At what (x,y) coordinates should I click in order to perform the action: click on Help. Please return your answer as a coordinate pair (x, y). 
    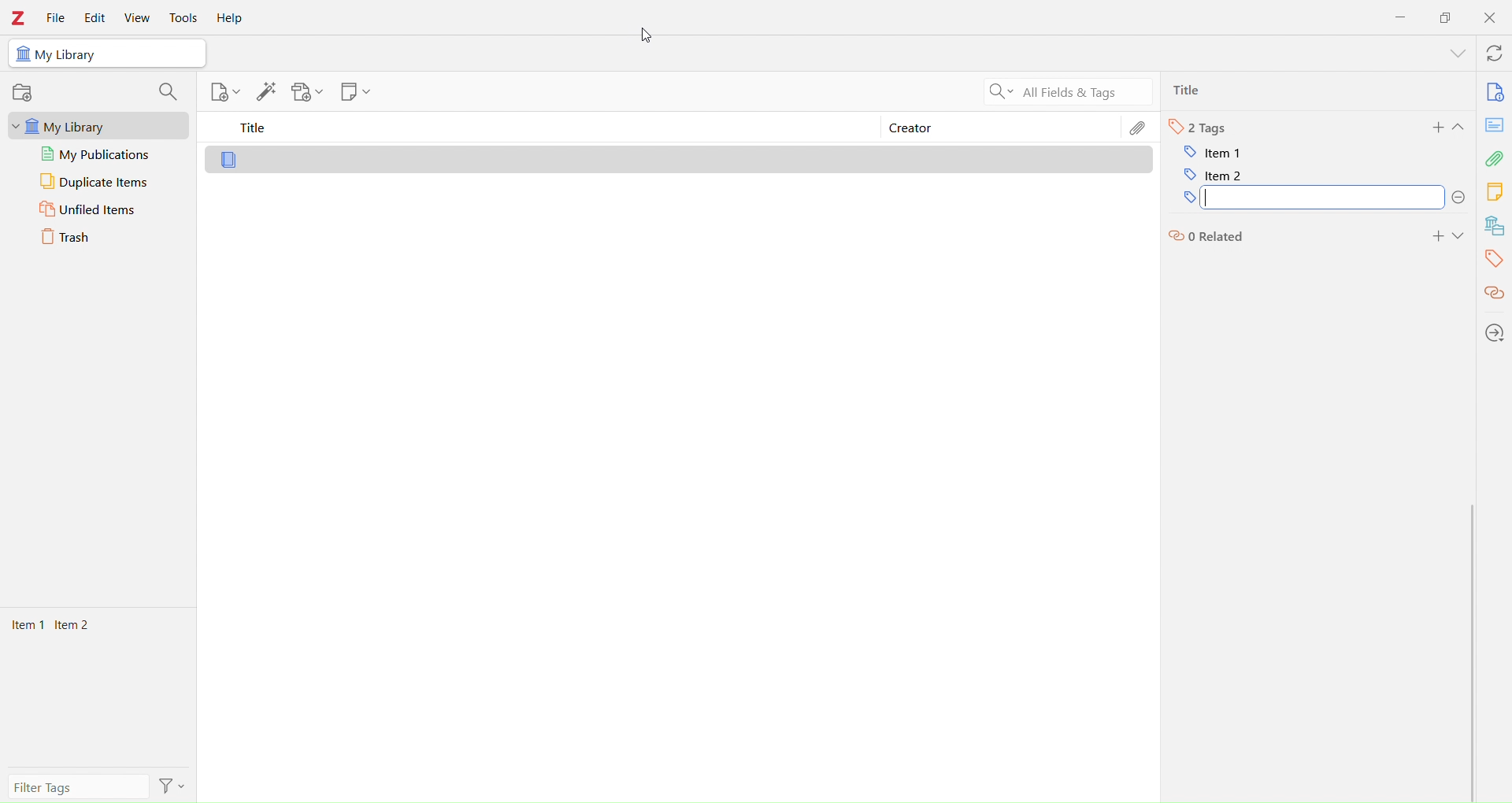
    Looking at the image, I should click on (230, 19).